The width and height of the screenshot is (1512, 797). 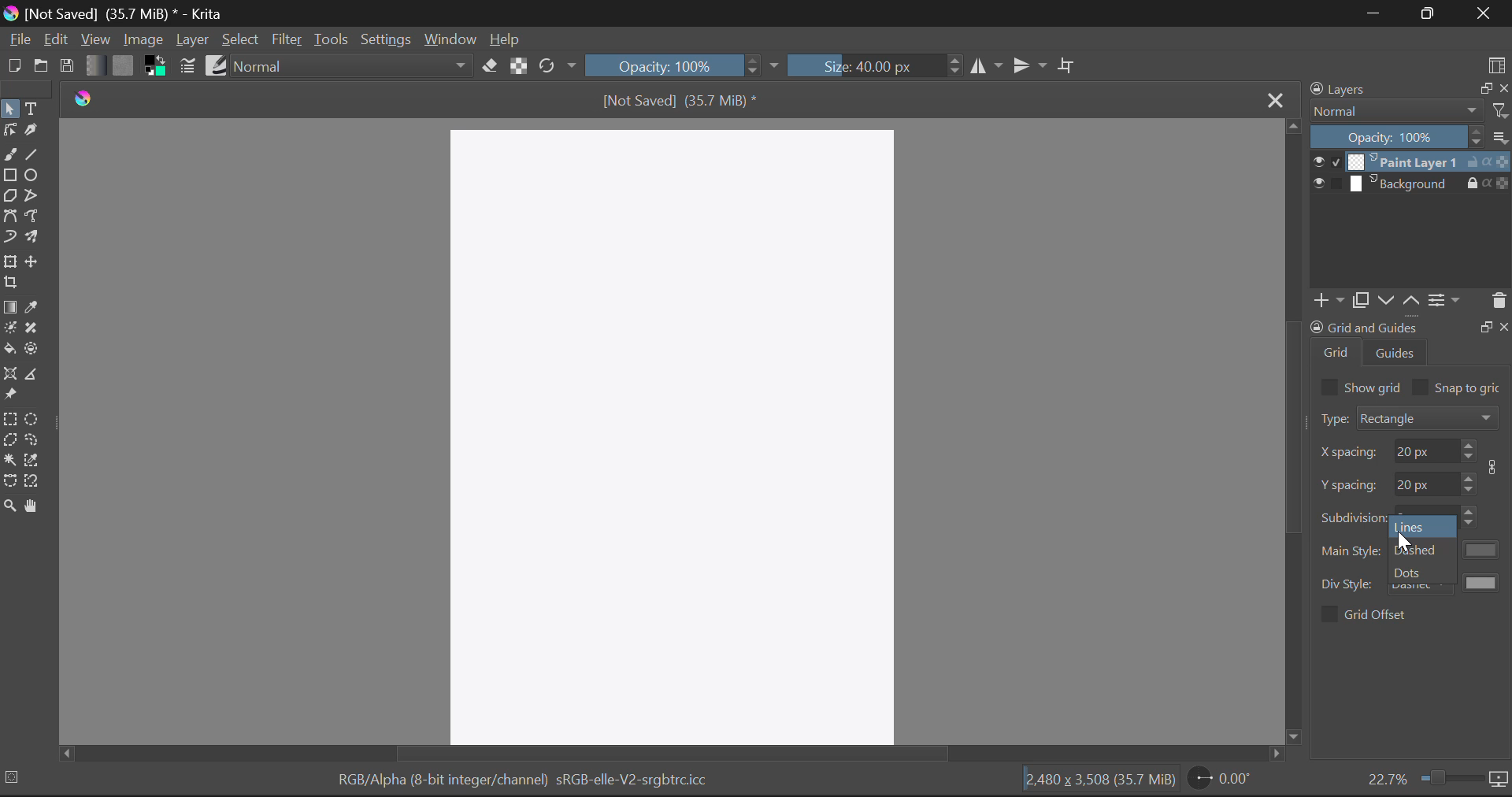 I want to click on close, so click(x=1503, y=88).